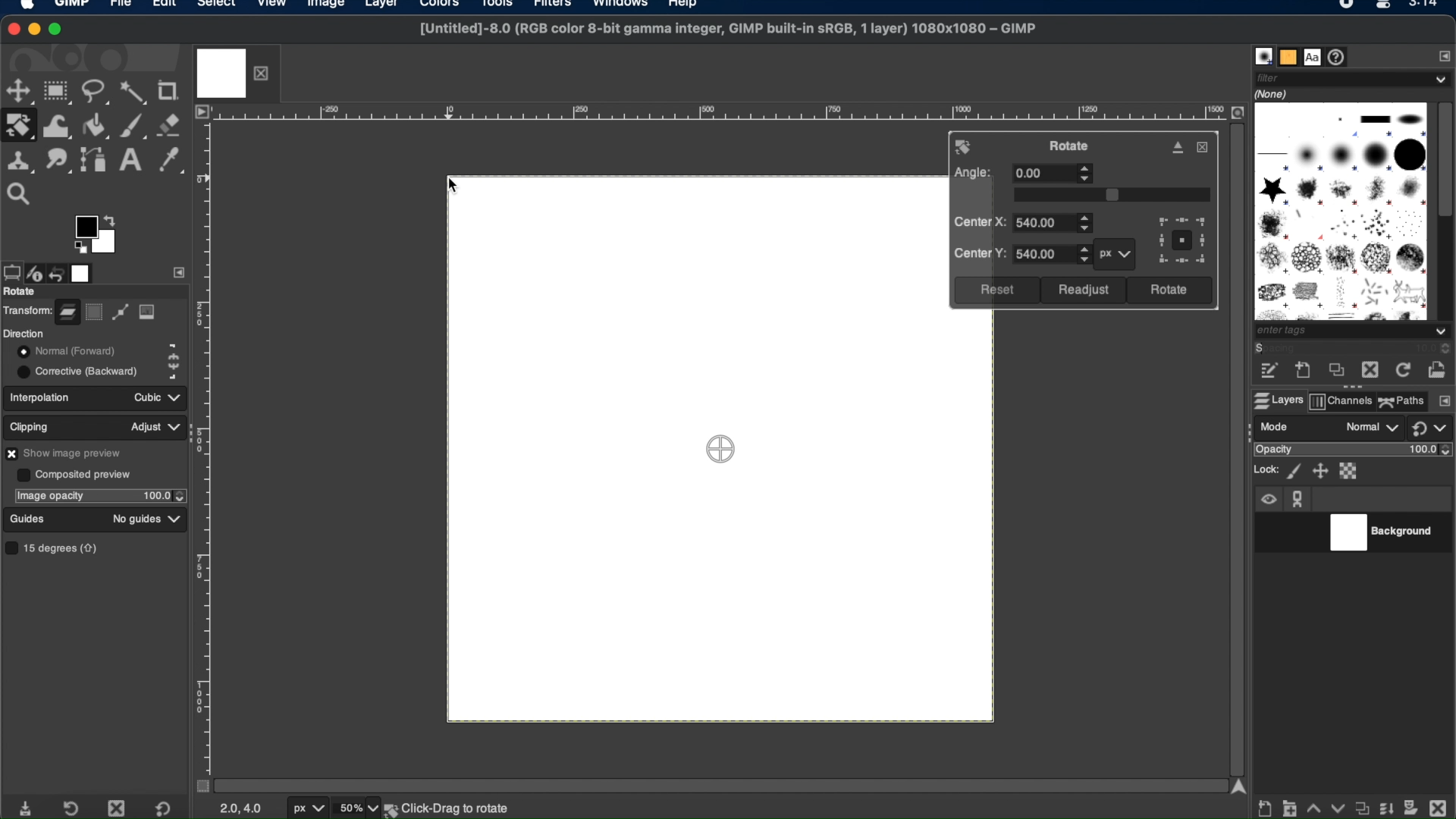  What do you see at coordinates (134, 124) in the screenshot?
I see `paintbrush tool` at bounding box center [134, 124].